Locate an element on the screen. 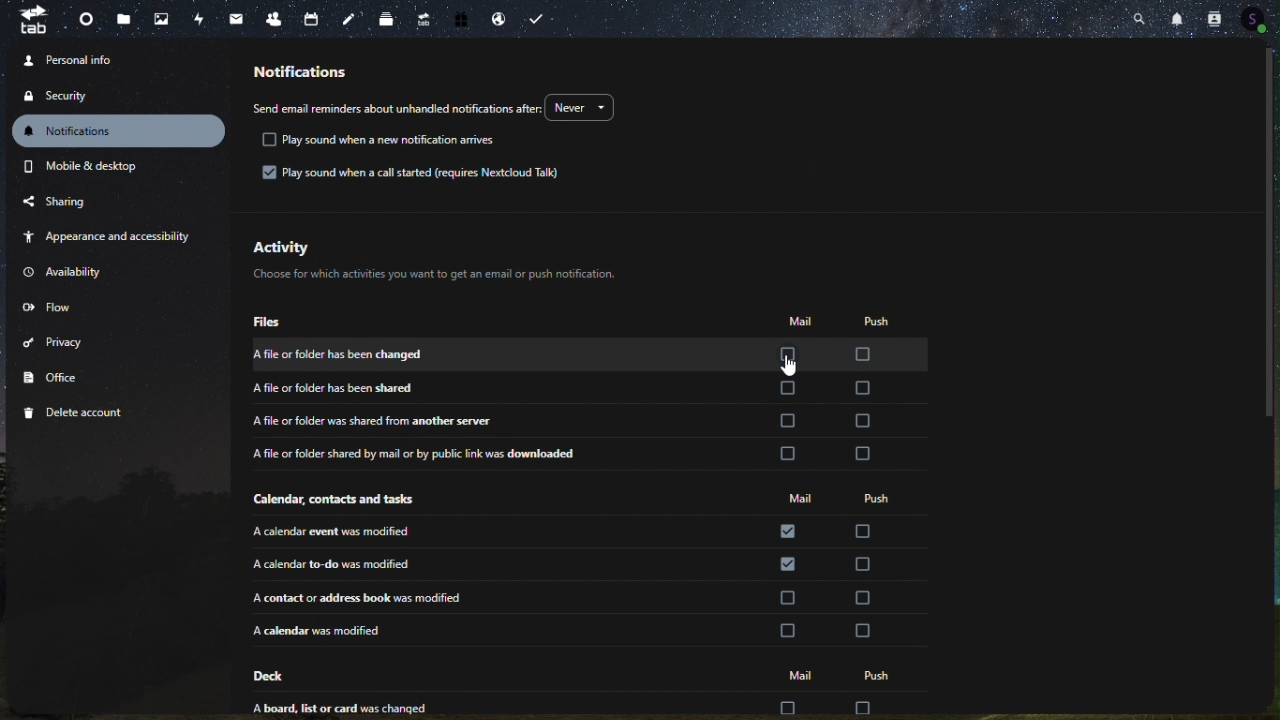 The width and height of the screenshot is (1280, 720). files is located at coordinates (272, 321).